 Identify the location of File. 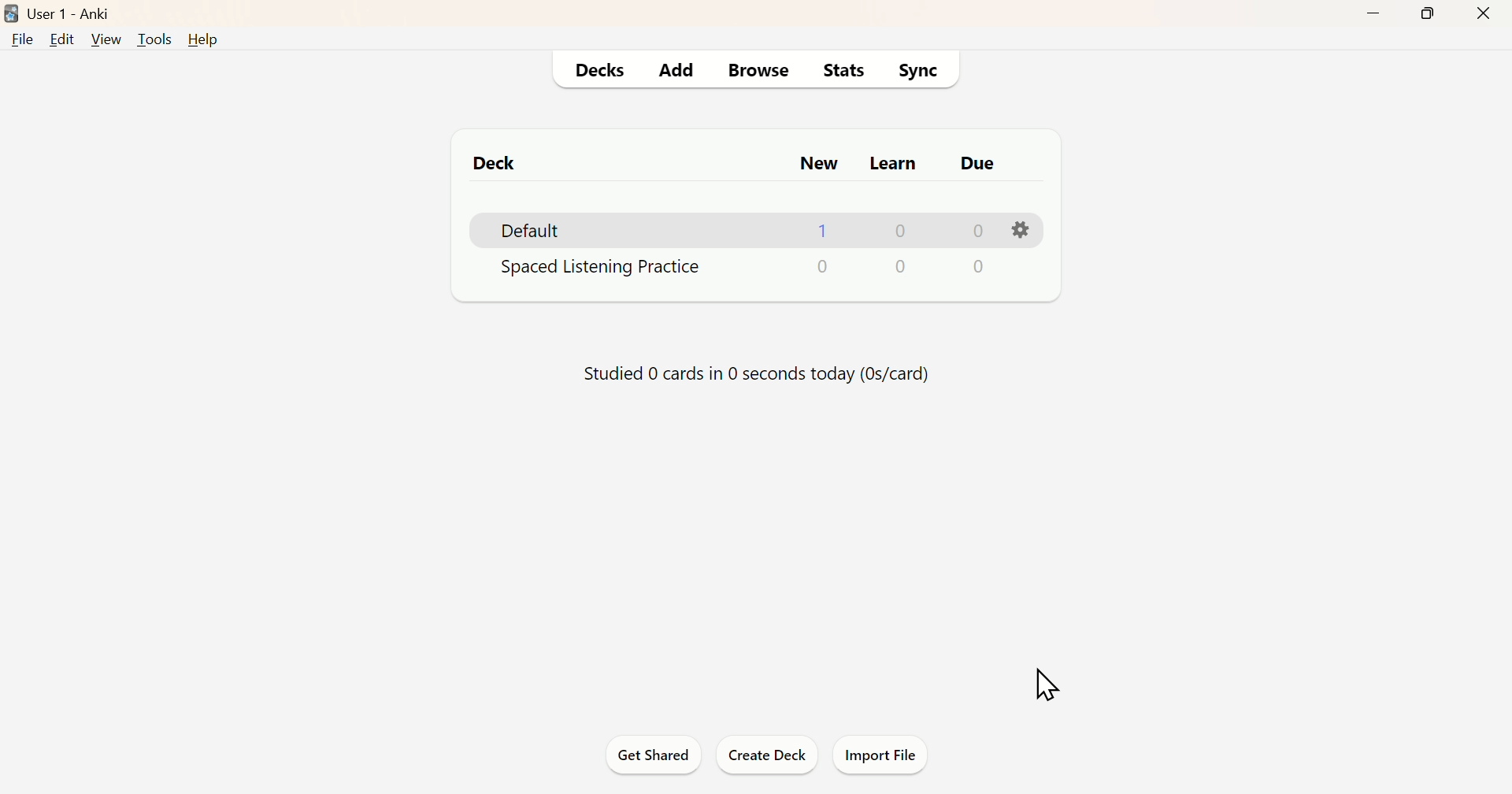
(21, 43).